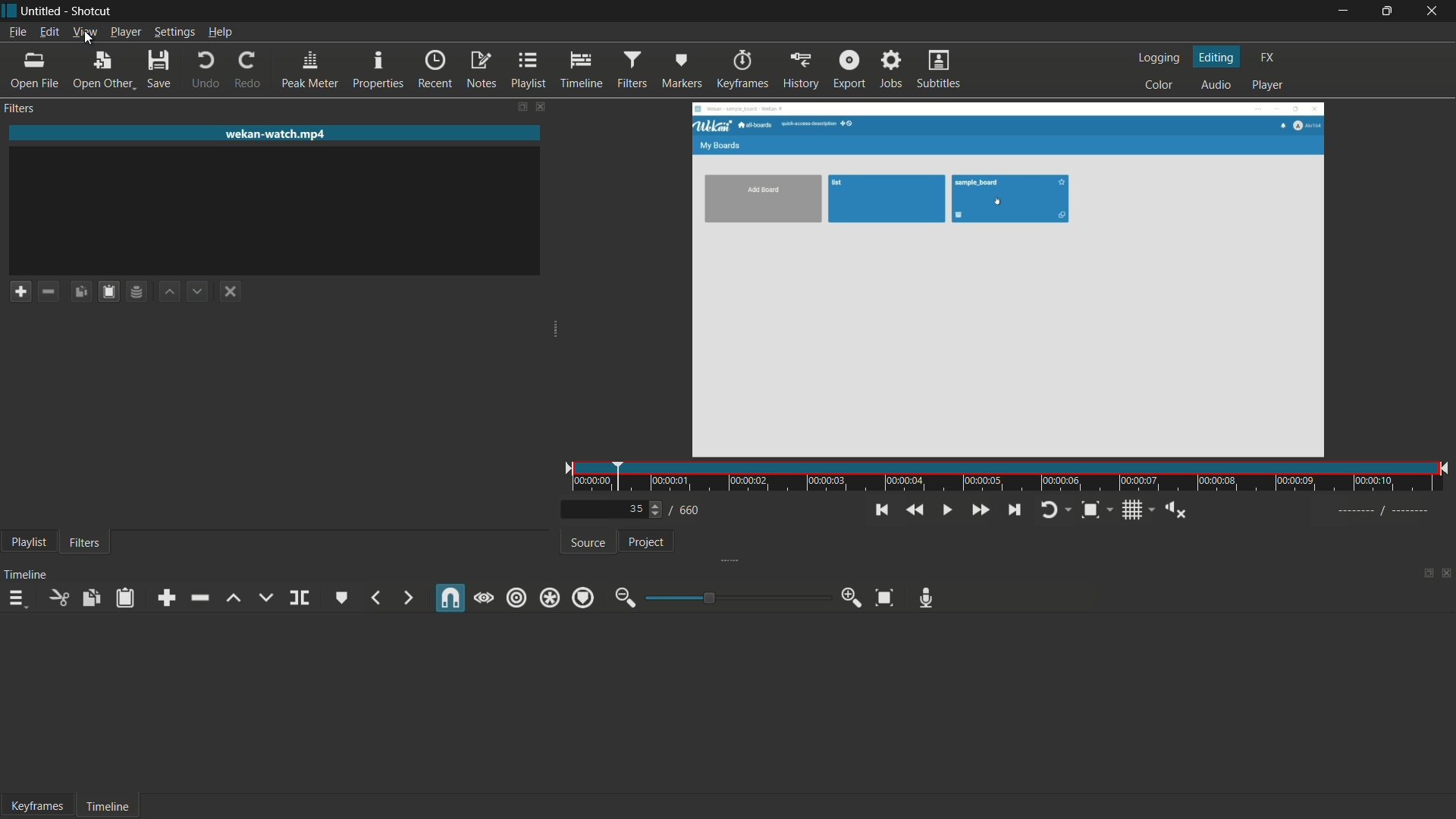 The width and height of the screenshot is (1456, 819). What do you see at coordinates (42, 11) in the screenshot?
I see `project name` at bounding box center [42, 11].